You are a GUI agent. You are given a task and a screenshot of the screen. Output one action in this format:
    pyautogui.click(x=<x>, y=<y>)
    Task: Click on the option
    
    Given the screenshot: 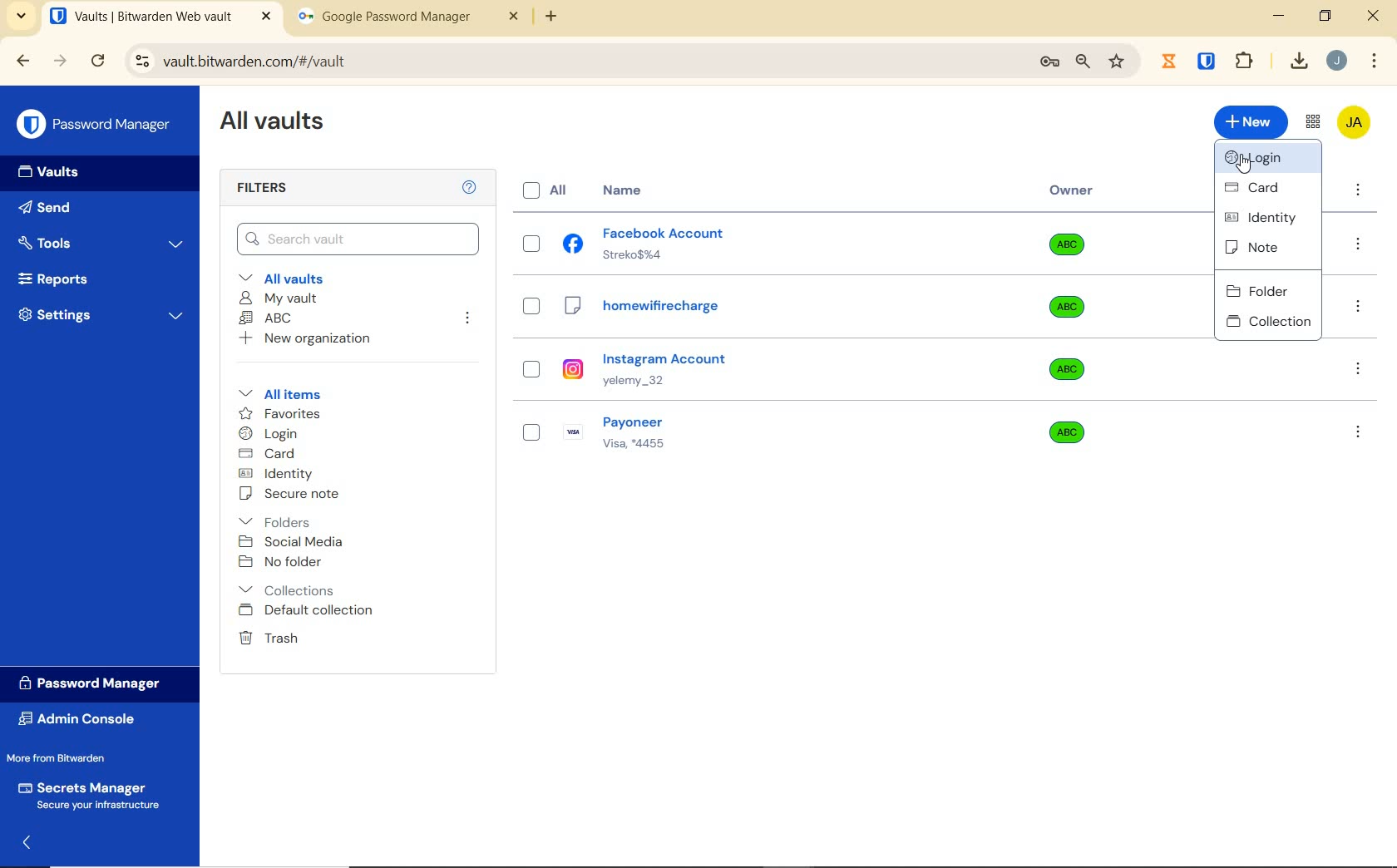 What is the action you would take?
    pyautogui.click(x=1361, y=371)
    